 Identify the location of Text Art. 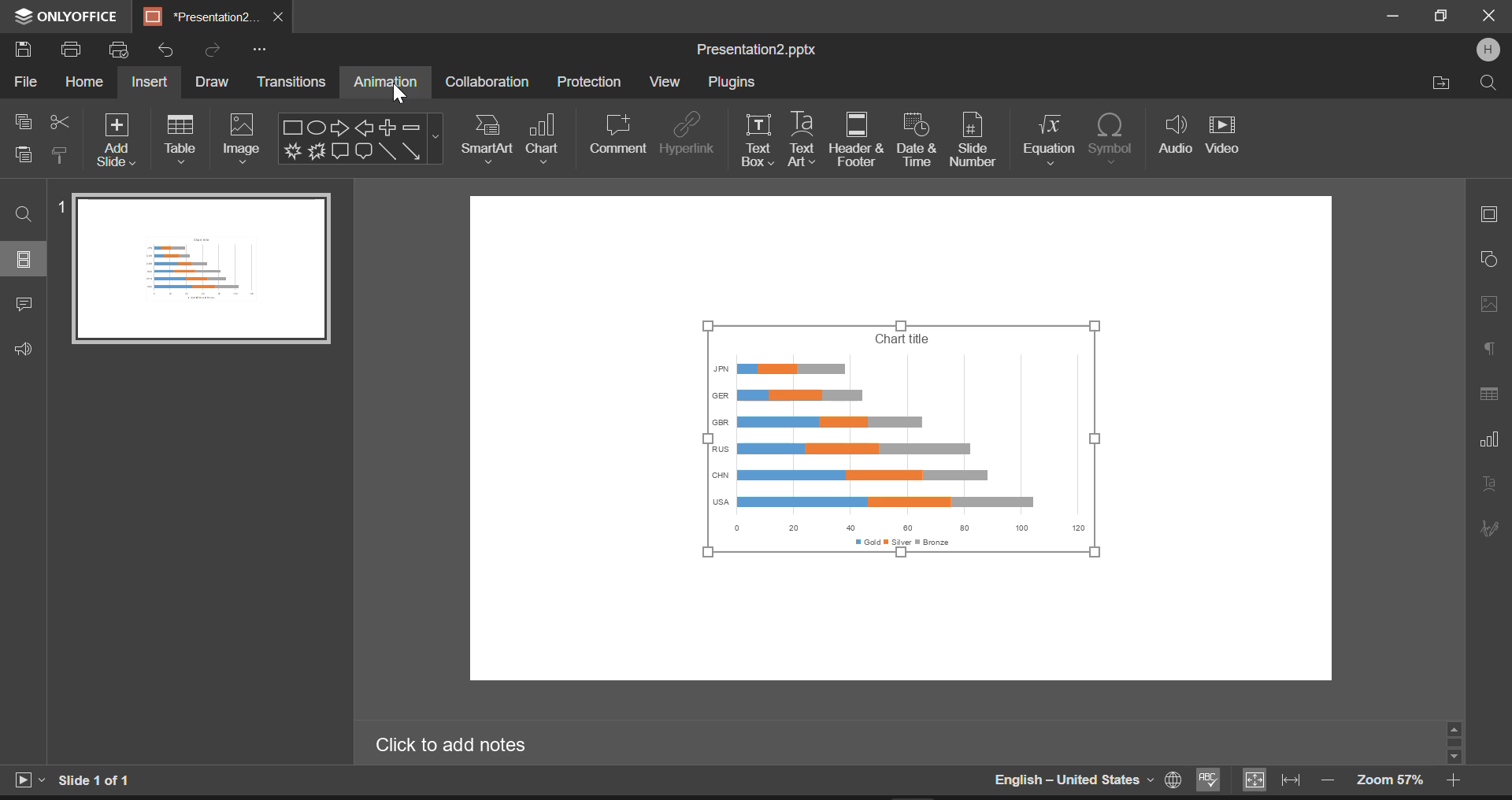
(800, 139).